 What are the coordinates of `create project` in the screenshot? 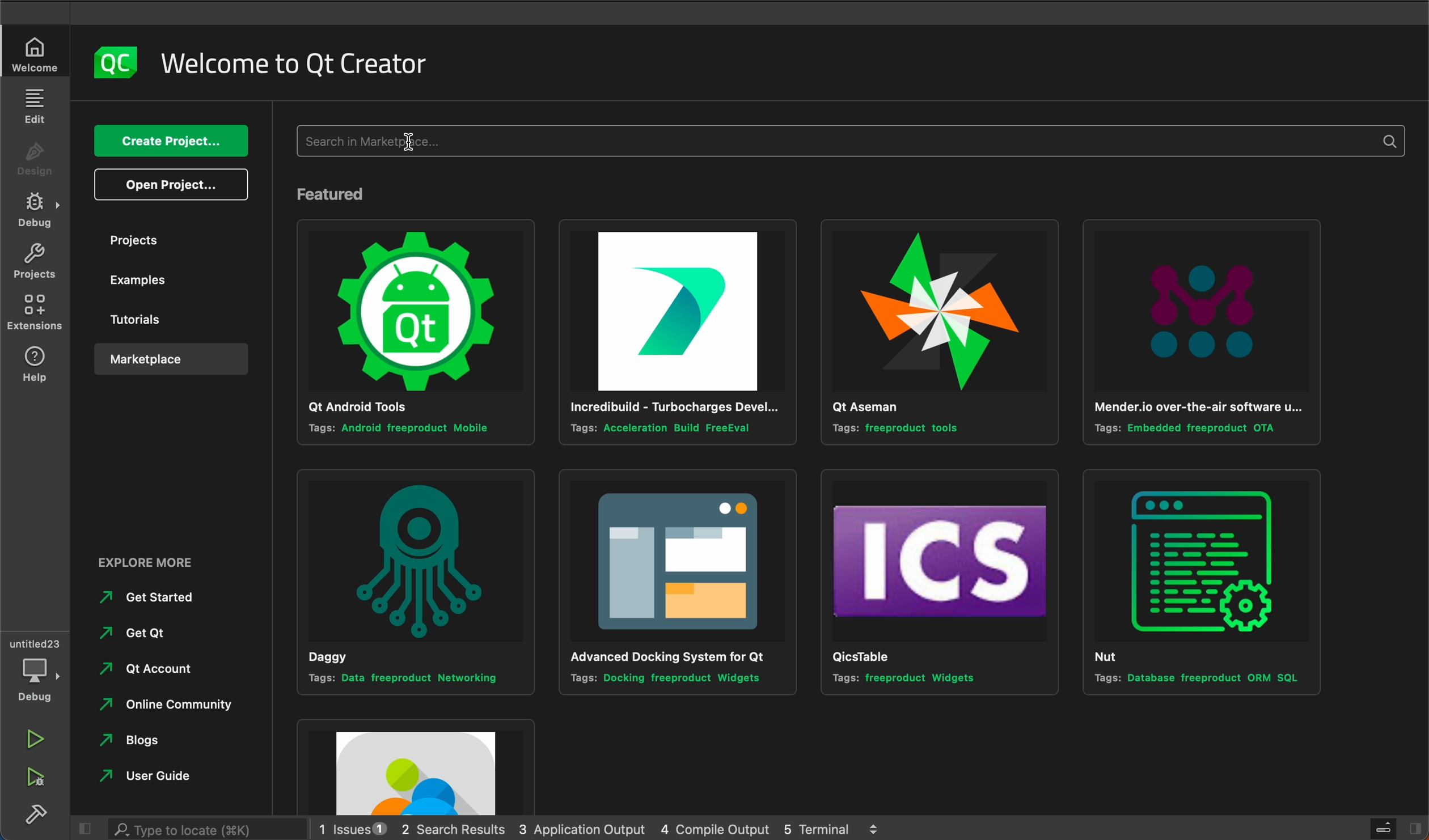 It's located at (169, 142).